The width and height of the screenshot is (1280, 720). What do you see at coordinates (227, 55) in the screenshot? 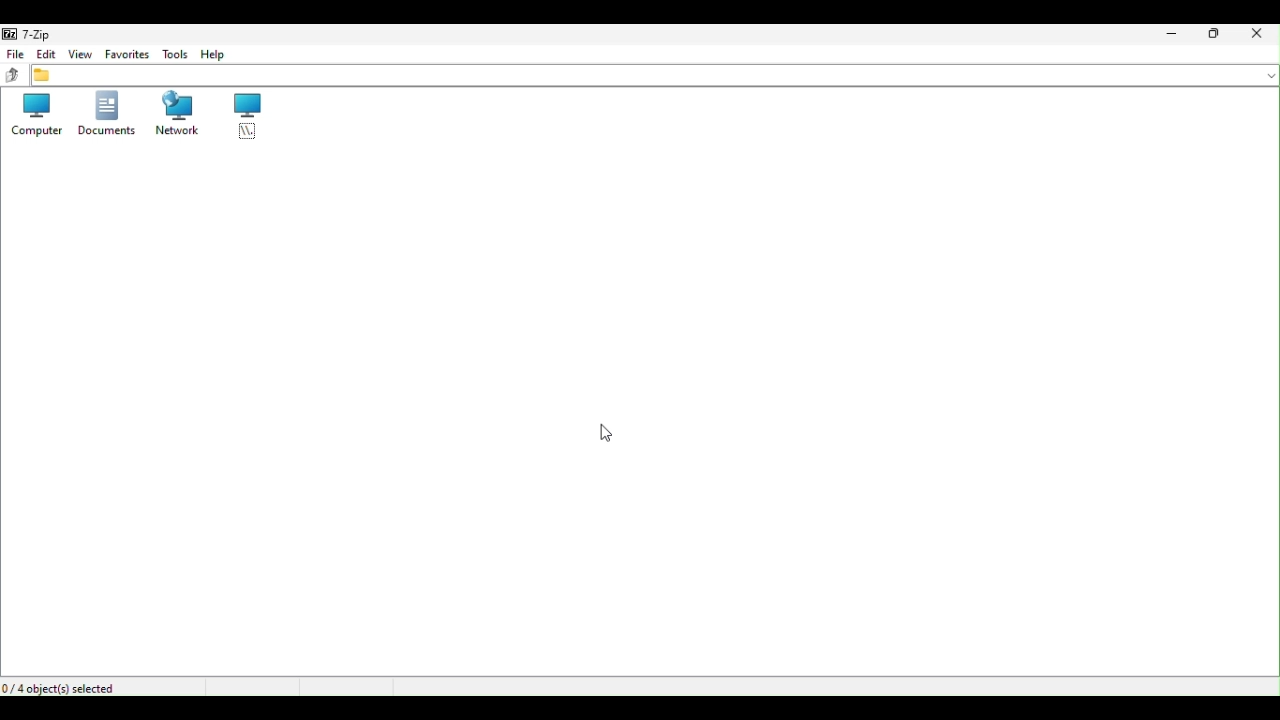
I see `Help` at bounding box center [227, 55].